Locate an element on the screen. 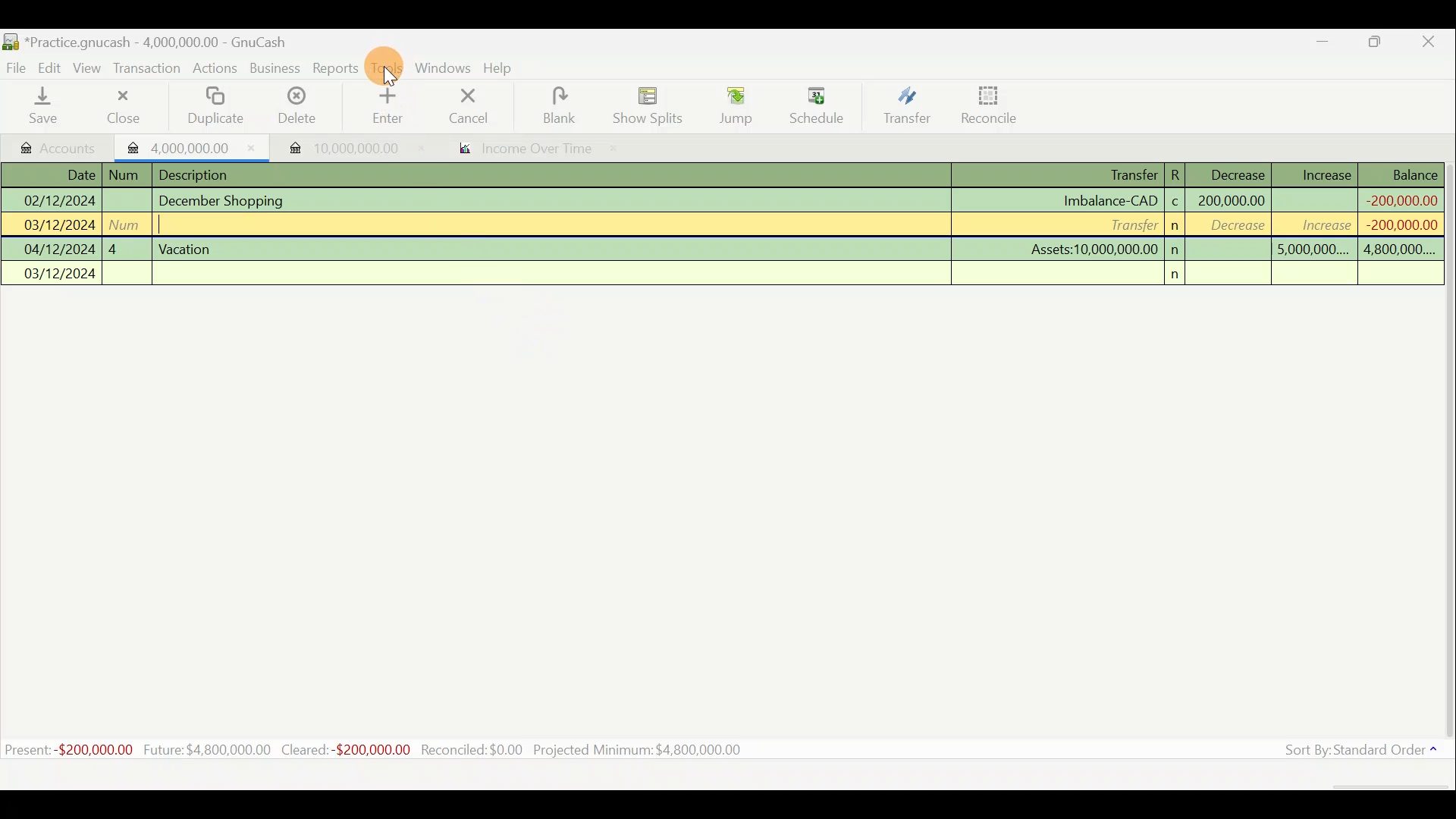 Image resolution: width=1456 pixels, height=819 pixels. Edit is located at coordinates (52, 67).